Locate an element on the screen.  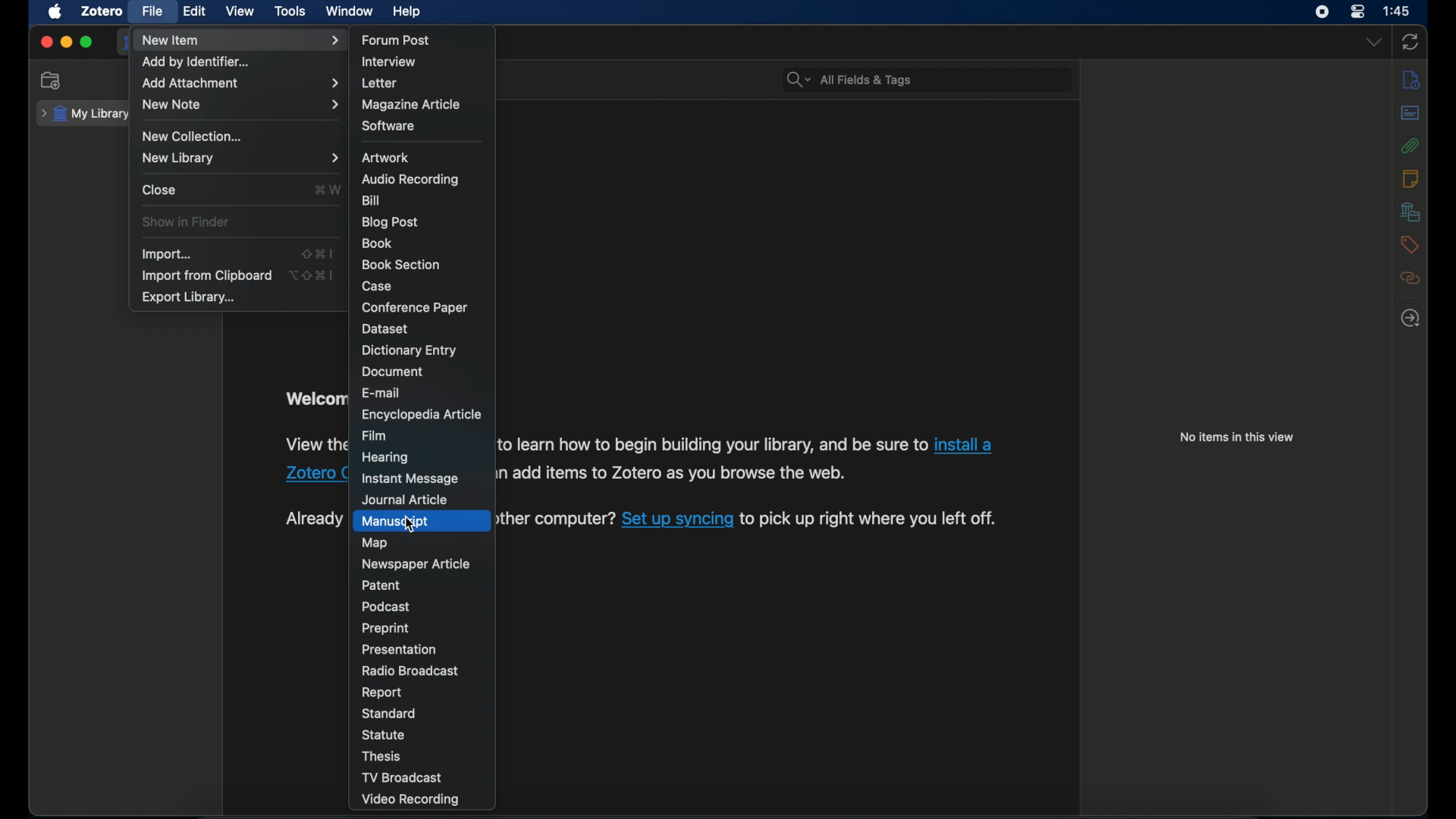
abstract is located at coordinates (1410, 113).